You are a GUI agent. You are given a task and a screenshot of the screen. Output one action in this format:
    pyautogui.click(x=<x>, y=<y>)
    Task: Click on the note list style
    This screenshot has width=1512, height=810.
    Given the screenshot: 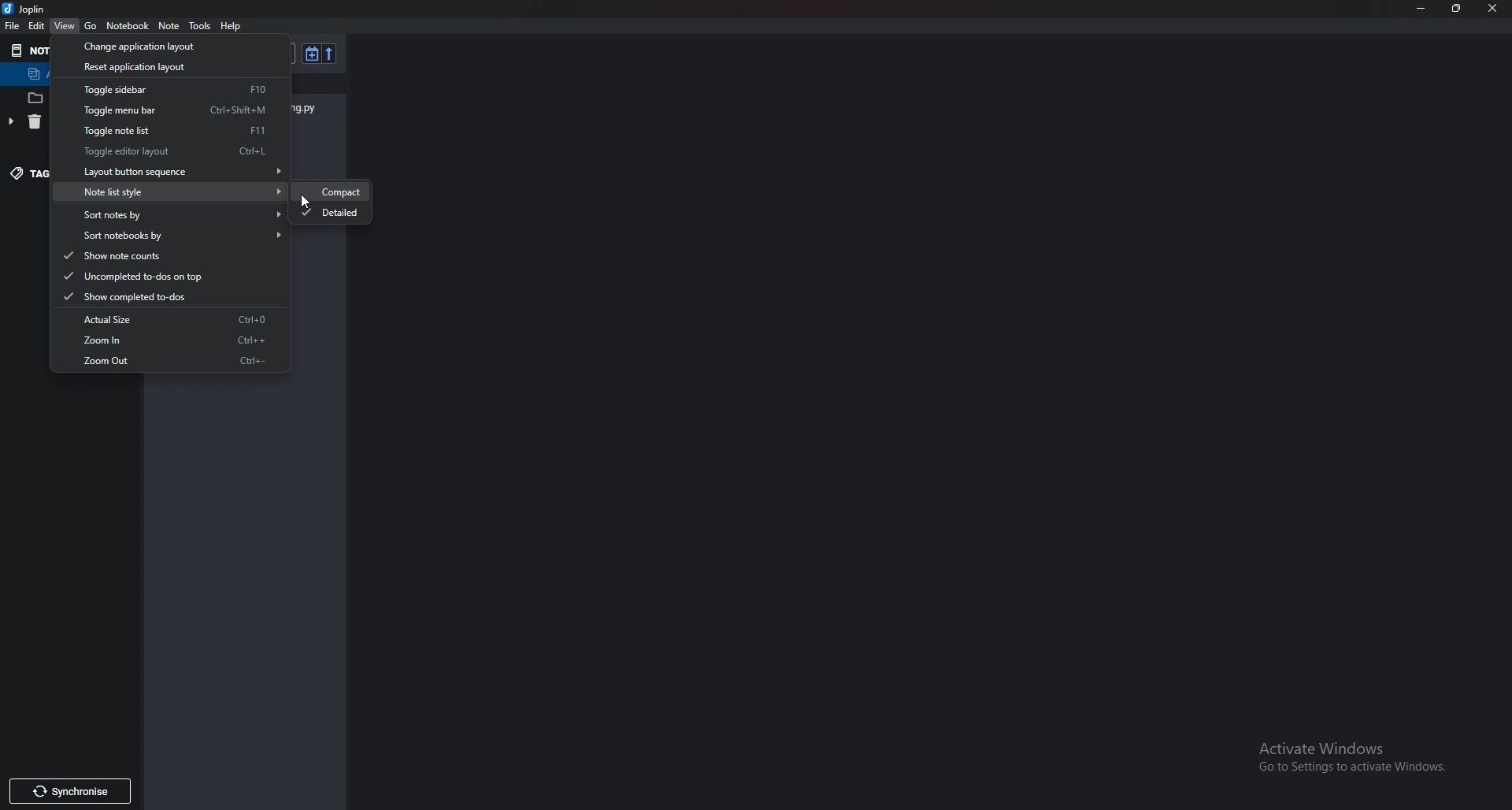 What is the action you would take?
    pyautogui.click(x=176, y=192)
    